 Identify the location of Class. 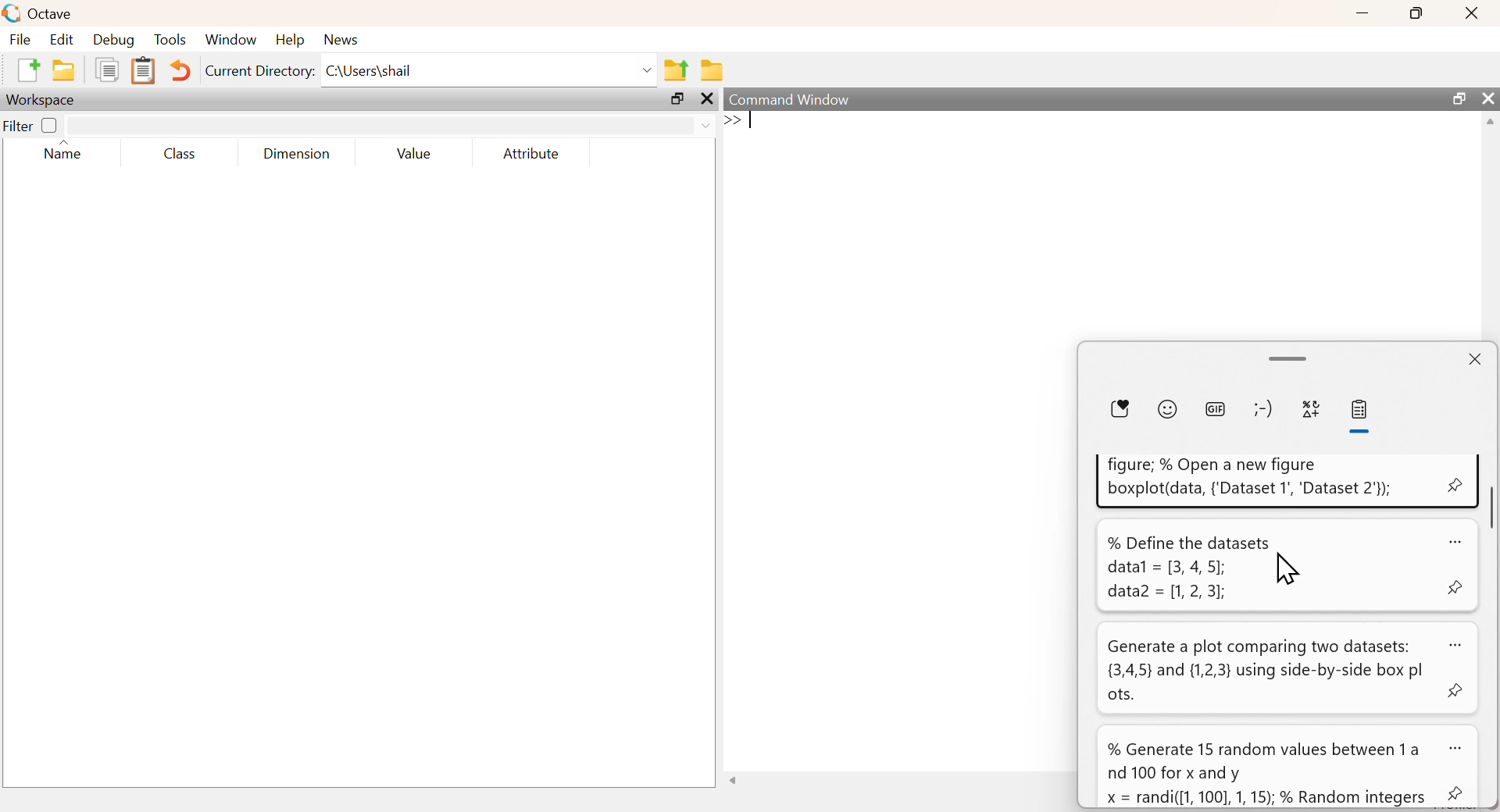
(184, 154).